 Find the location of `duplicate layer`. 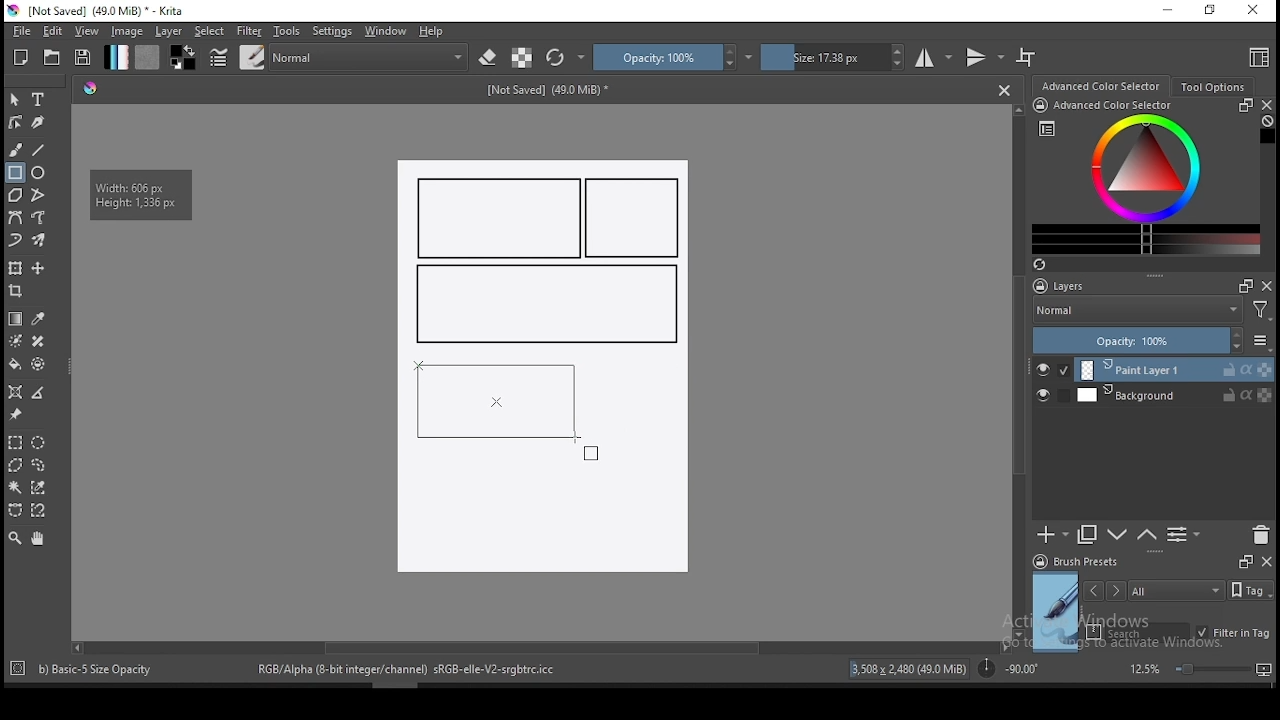

duplicate layer is located at coordinates (1088, 534).